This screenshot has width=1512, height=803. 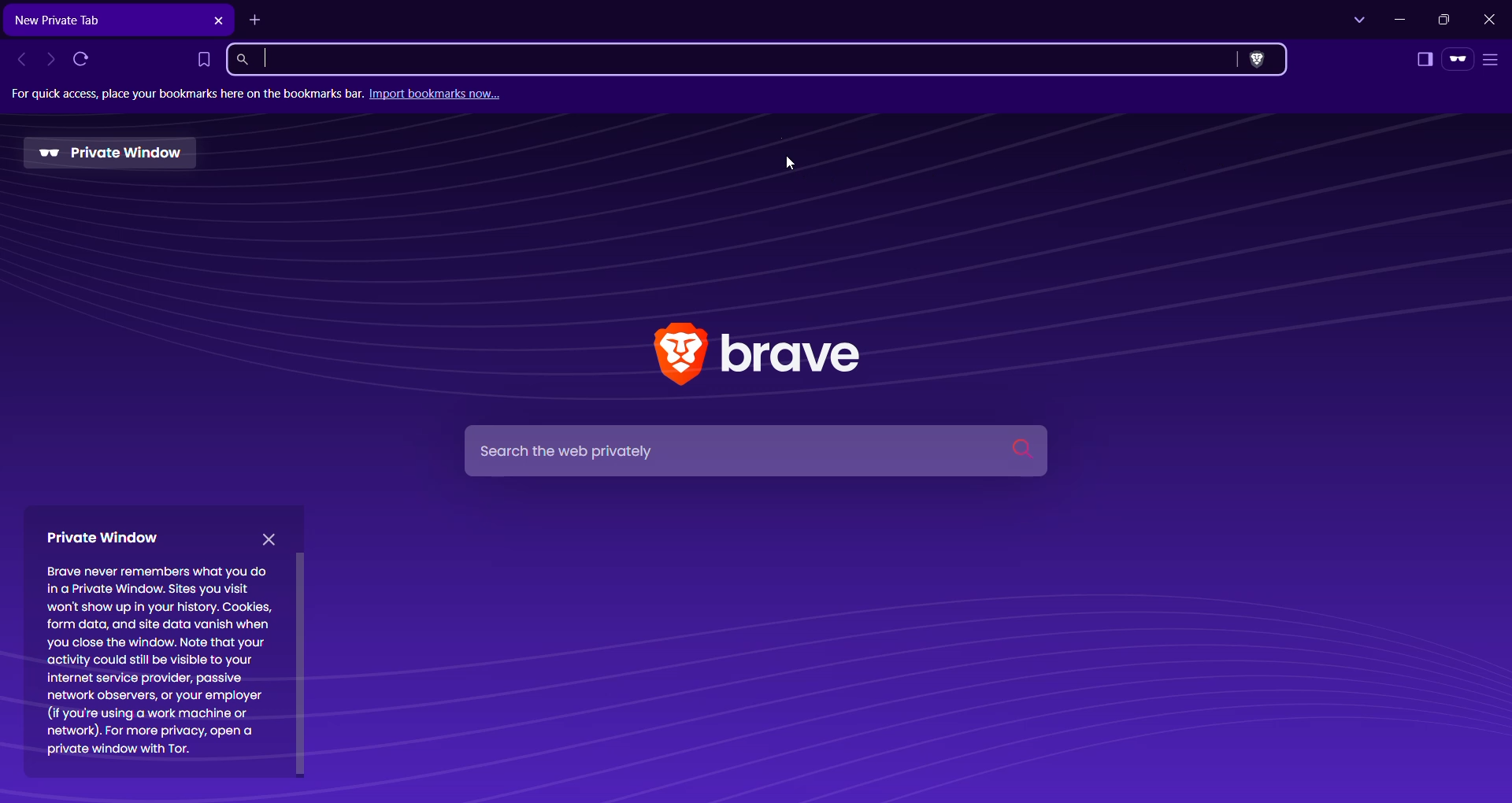 I want to click on Brave Application Logo and Name, so click(x=762, y=352).